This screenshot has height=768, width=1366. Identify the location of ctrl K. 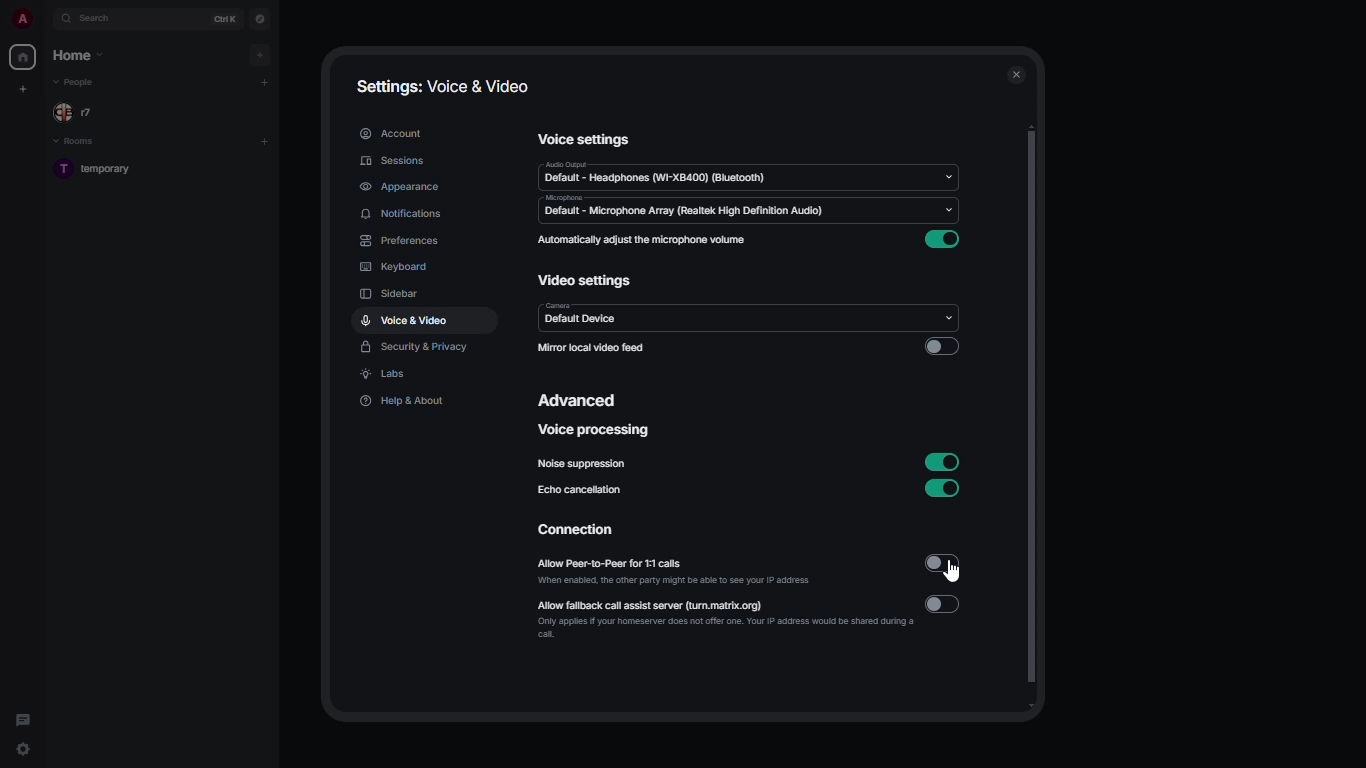
(225, 19).